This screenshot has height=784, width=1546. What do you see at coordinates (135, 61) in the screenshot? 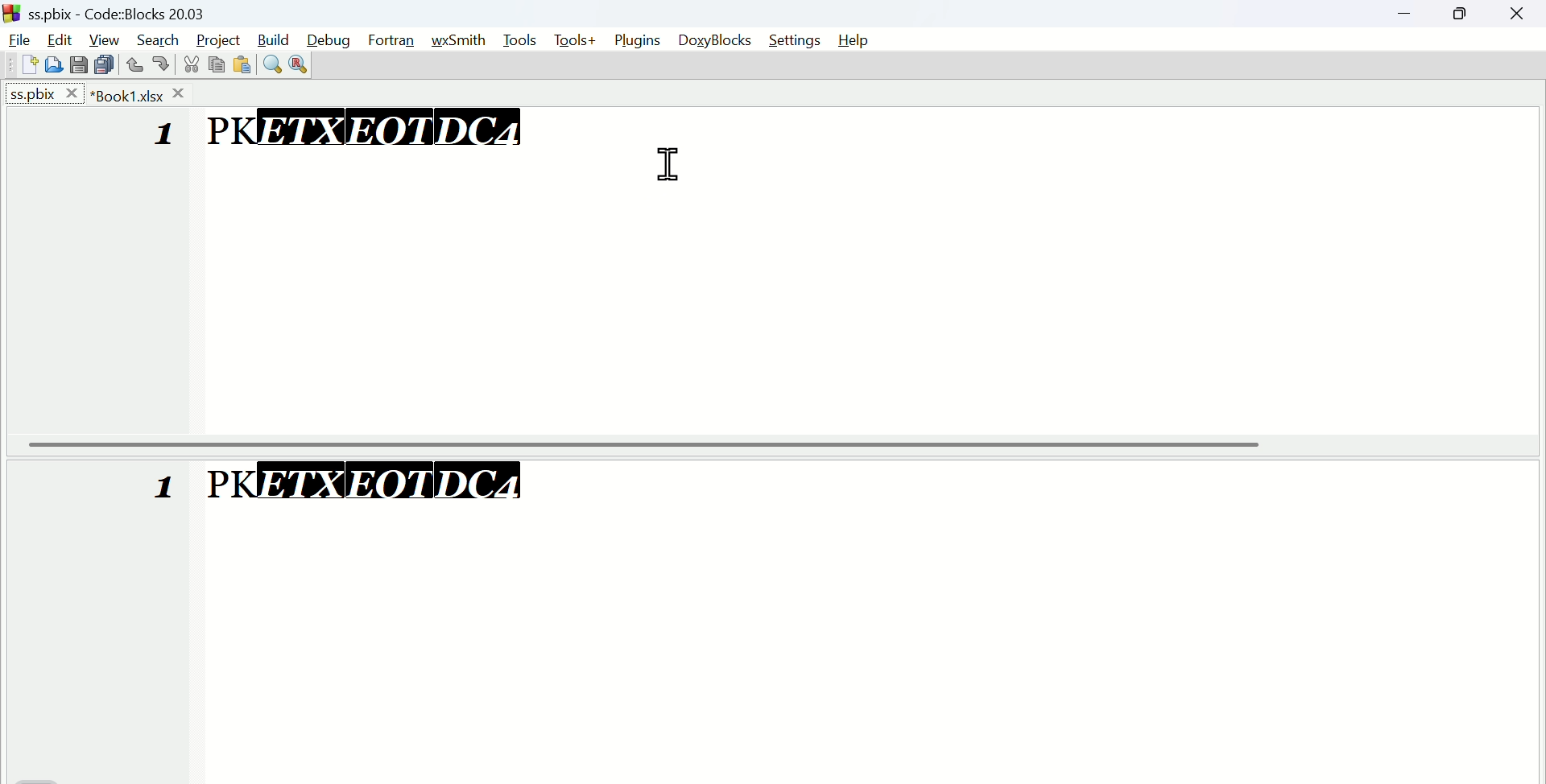
I see `Undo` at bounding box center [135, 61].